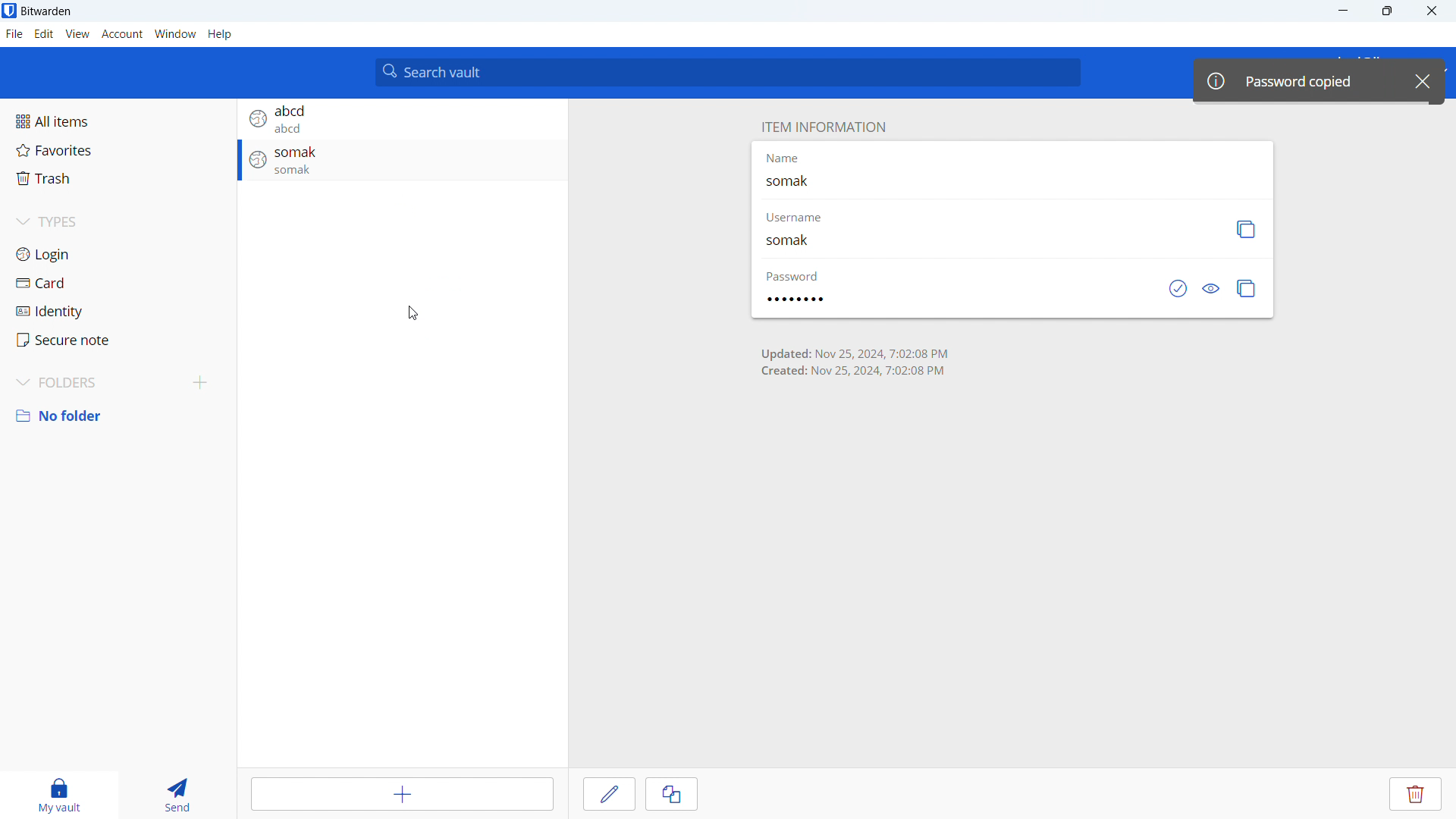 This screenshot has height=819, width=1456. I want to click on identity, so click(118, 309).